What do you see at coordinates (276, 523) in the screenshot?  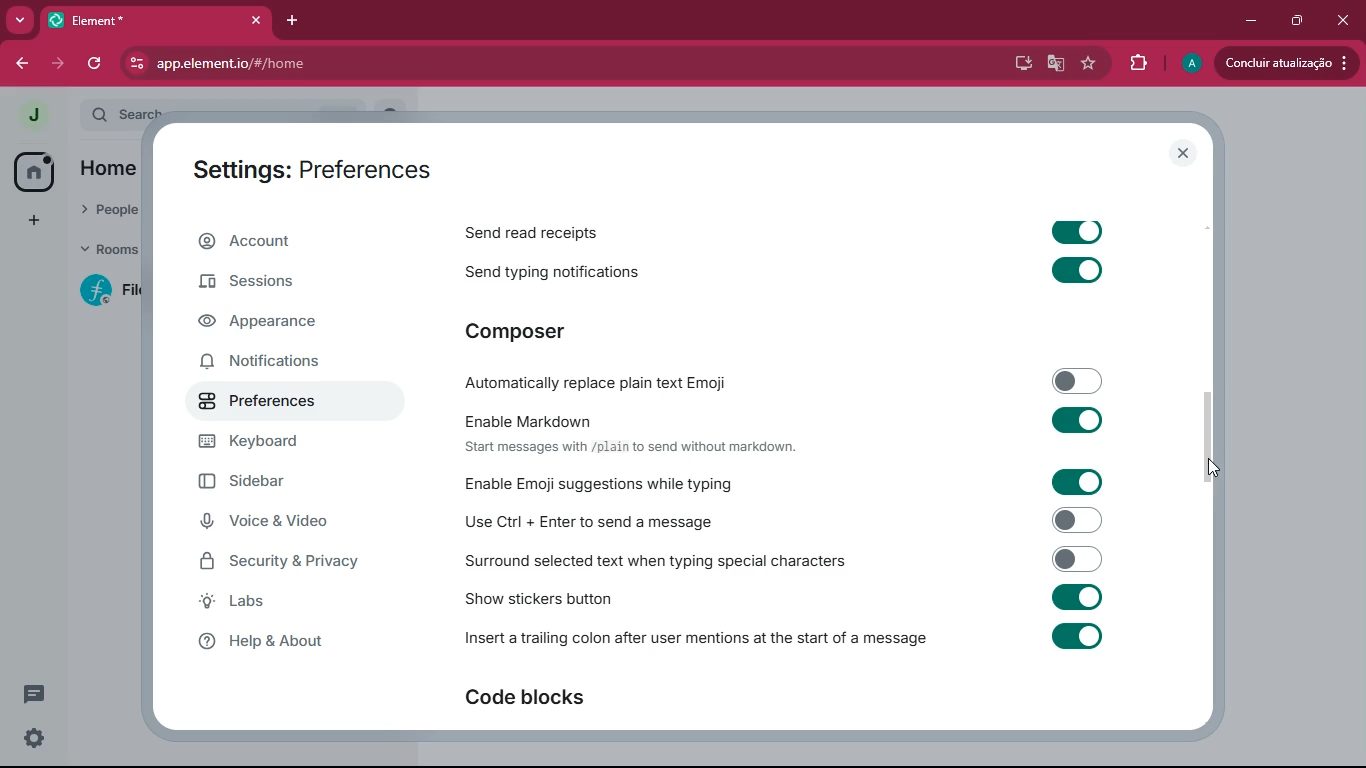 I see `voice & video` at bounding box center [276, 523].